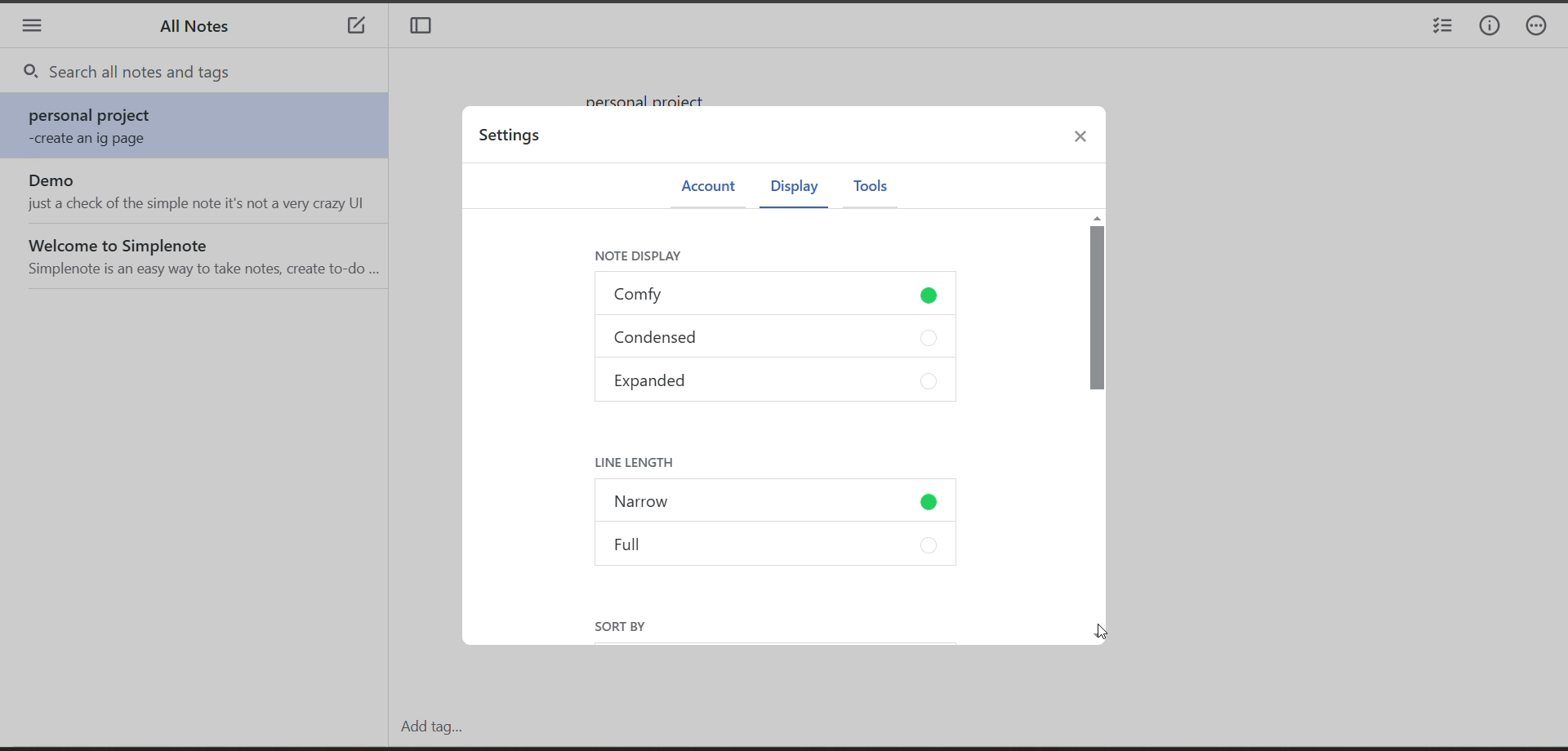 The height and width of the screenshot is (751, 1568). Describe the element at coordinates (356, 28) in the screenshot. I see `new note` at that location.